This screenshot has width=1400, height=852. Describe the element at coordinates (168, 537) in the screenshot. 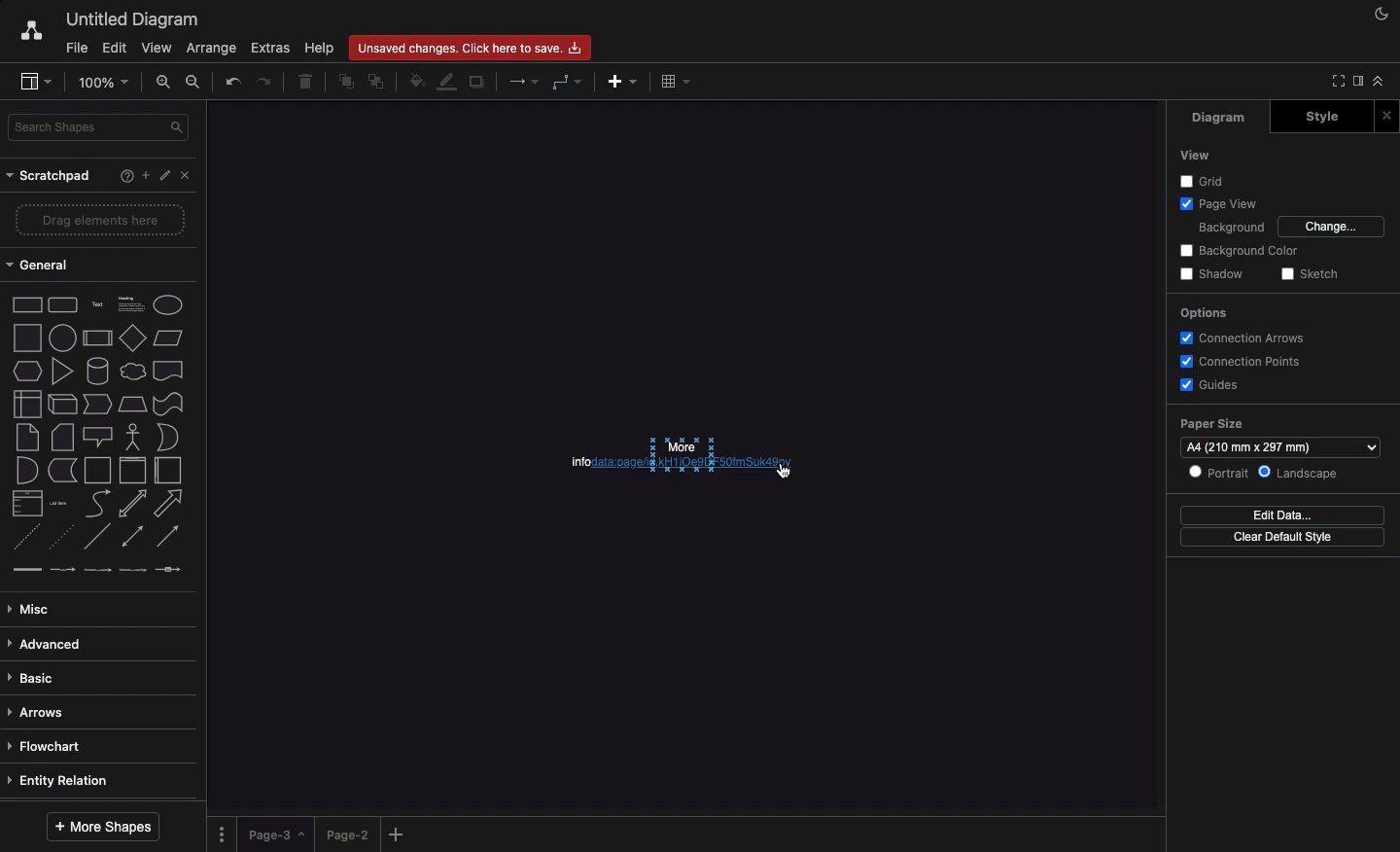

I see `directional connector` at that location.